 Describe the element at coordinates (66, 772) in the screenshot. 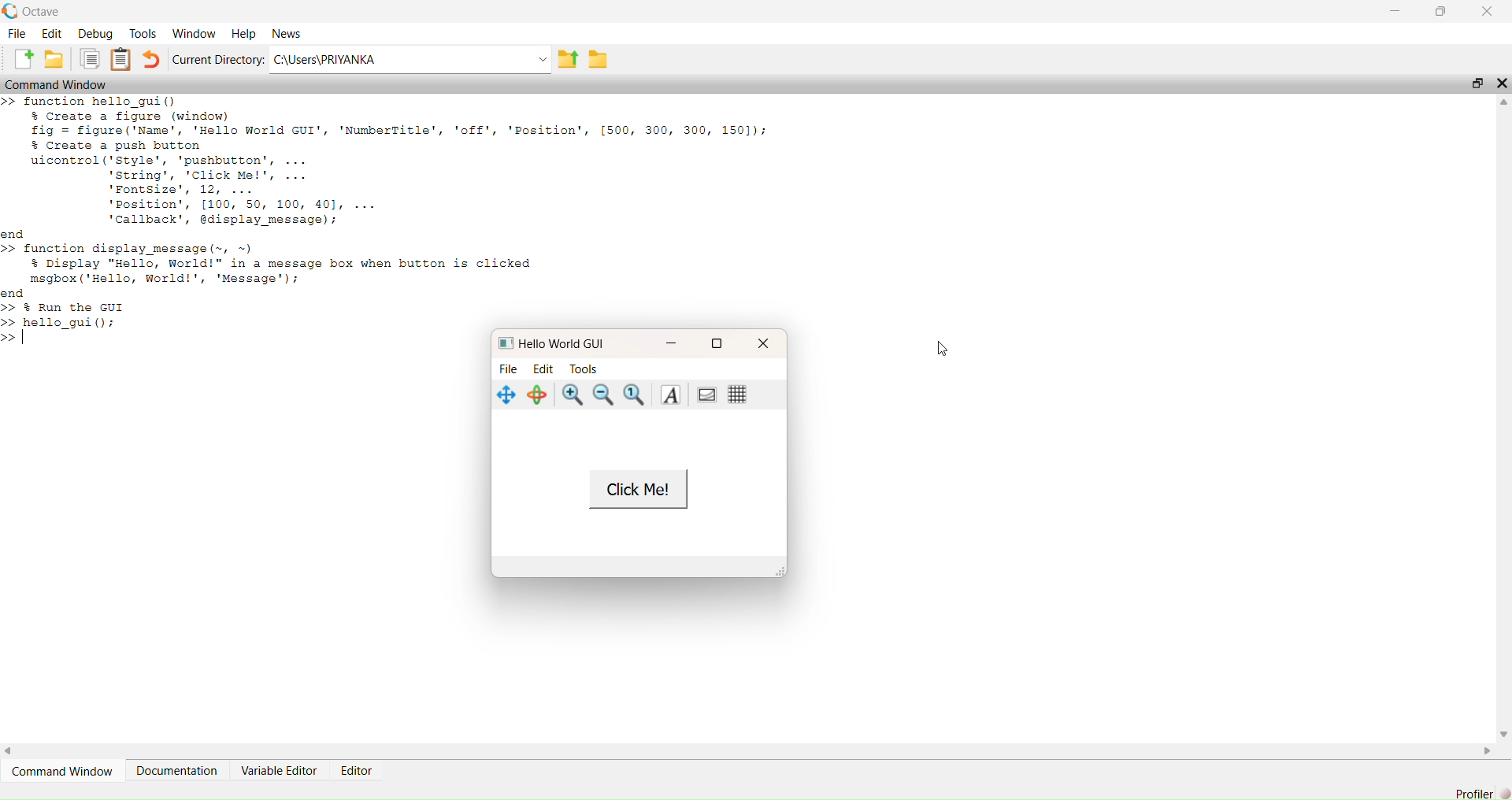

I see `Command Window` at that location.